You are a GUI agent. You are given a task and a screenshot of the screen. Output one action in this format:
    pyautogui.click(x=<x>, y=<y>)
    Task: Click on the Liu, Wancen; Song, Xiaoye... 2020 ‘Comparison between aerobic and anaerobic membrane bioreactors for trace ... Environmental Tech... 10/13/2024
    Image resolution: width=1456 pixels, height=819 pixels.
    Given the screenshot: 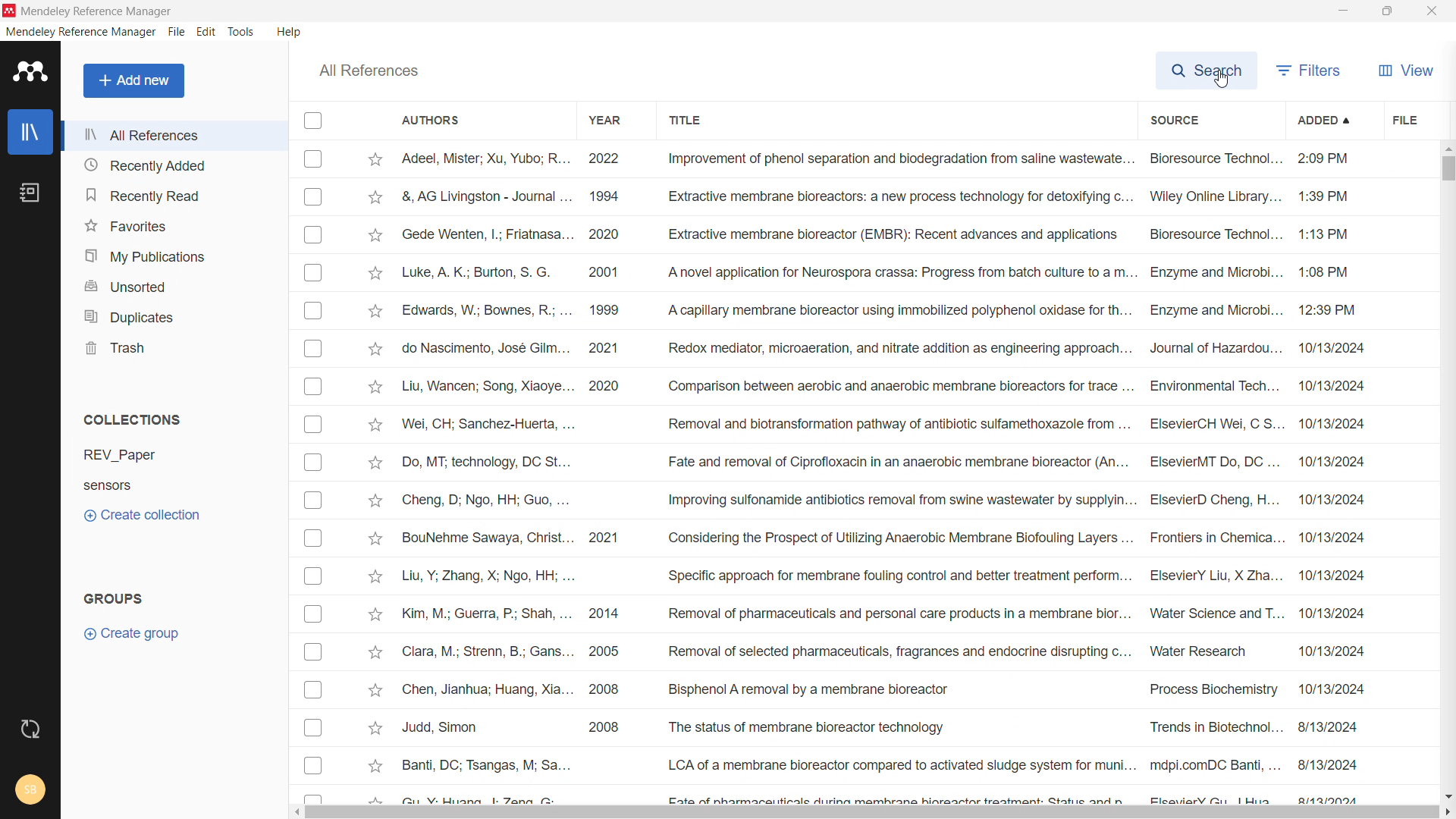 What is the action you would take?
    pyautogui.click(x=887, y=385)
    